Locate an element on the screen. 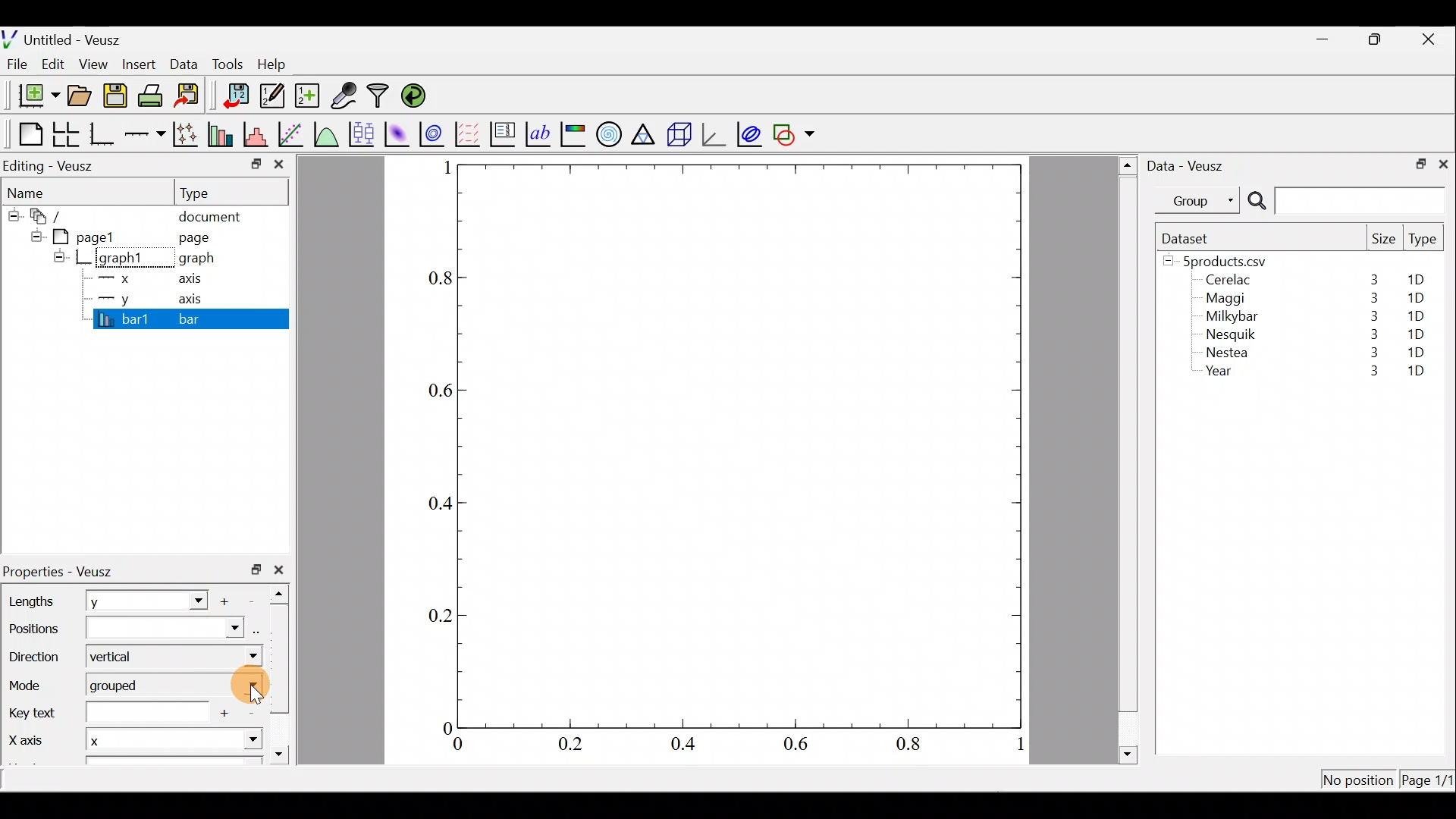 This screenshot has width=1456, height=819. Histogram of a dataset is located at coordinates (260, 135).